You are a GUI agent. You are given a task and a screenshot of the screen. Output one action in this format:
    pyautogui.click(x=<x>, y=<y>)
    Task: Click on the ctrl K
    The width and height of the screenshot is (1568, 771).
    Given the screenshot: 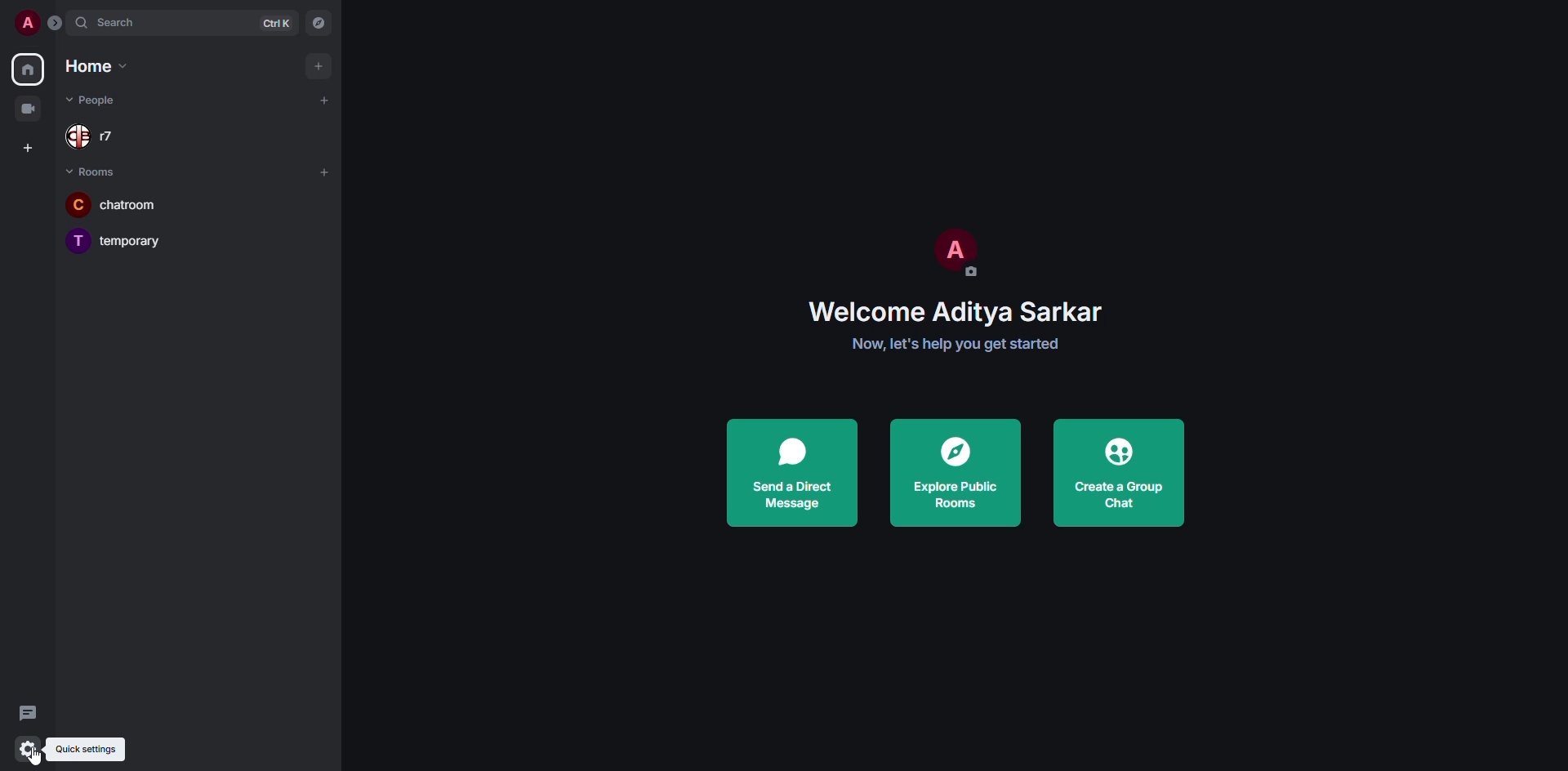 What is the action you would take?
    pyautogui.click(x=277, y=24)
    